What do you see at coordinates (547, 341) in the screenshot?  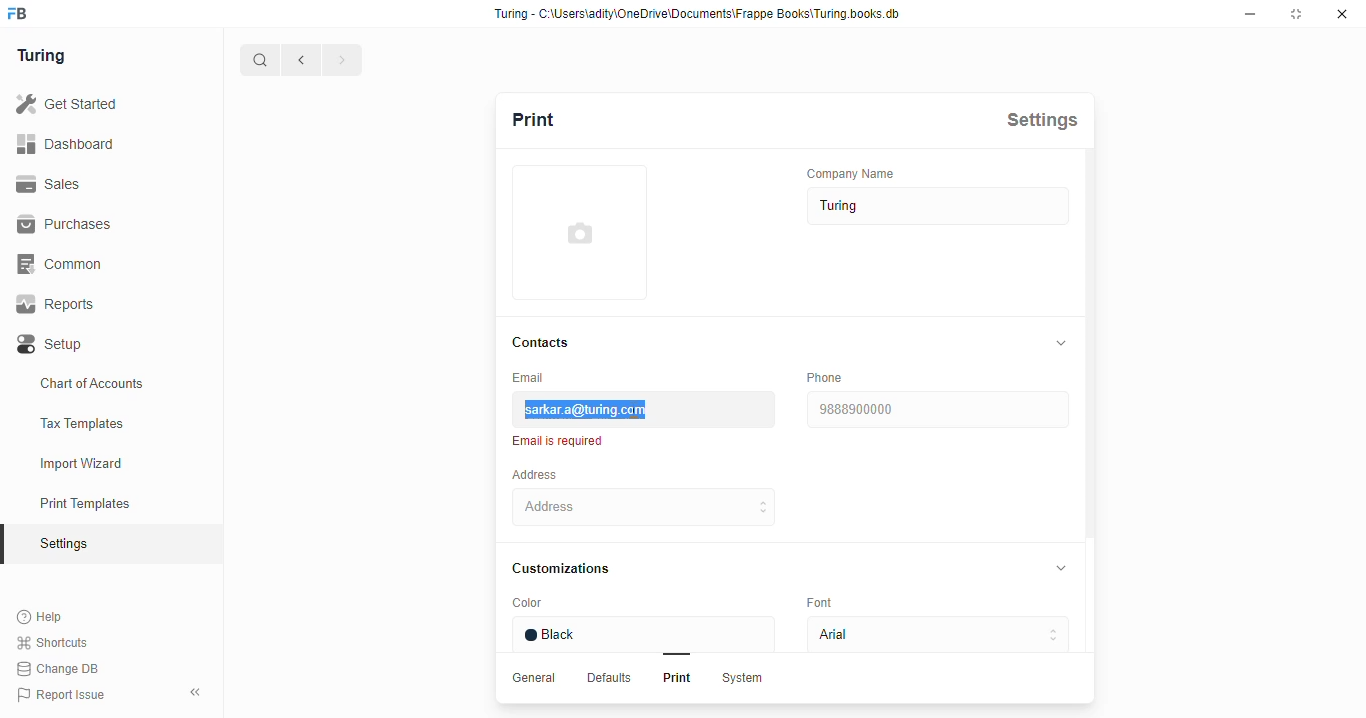 I see `Contacts` at bounding box center [547, 341].